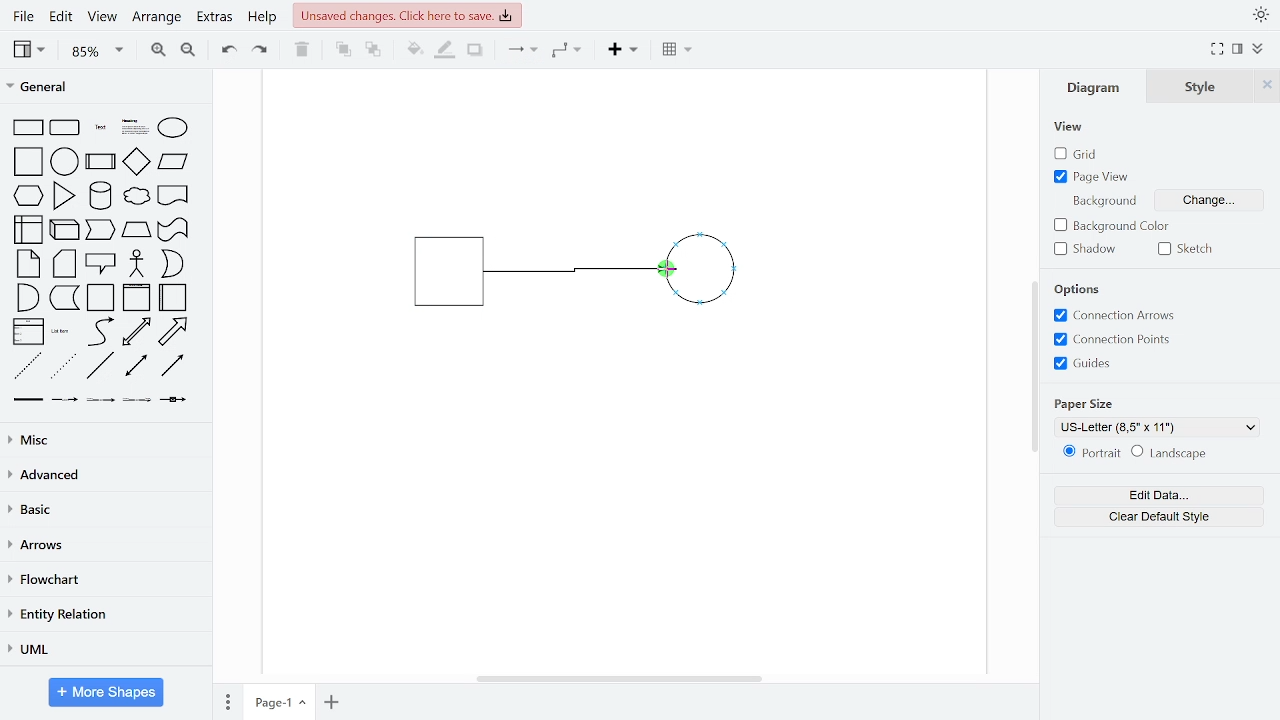  Describe the element at coordinates (628, 50) in the screenshot. I see `insert` at that location.